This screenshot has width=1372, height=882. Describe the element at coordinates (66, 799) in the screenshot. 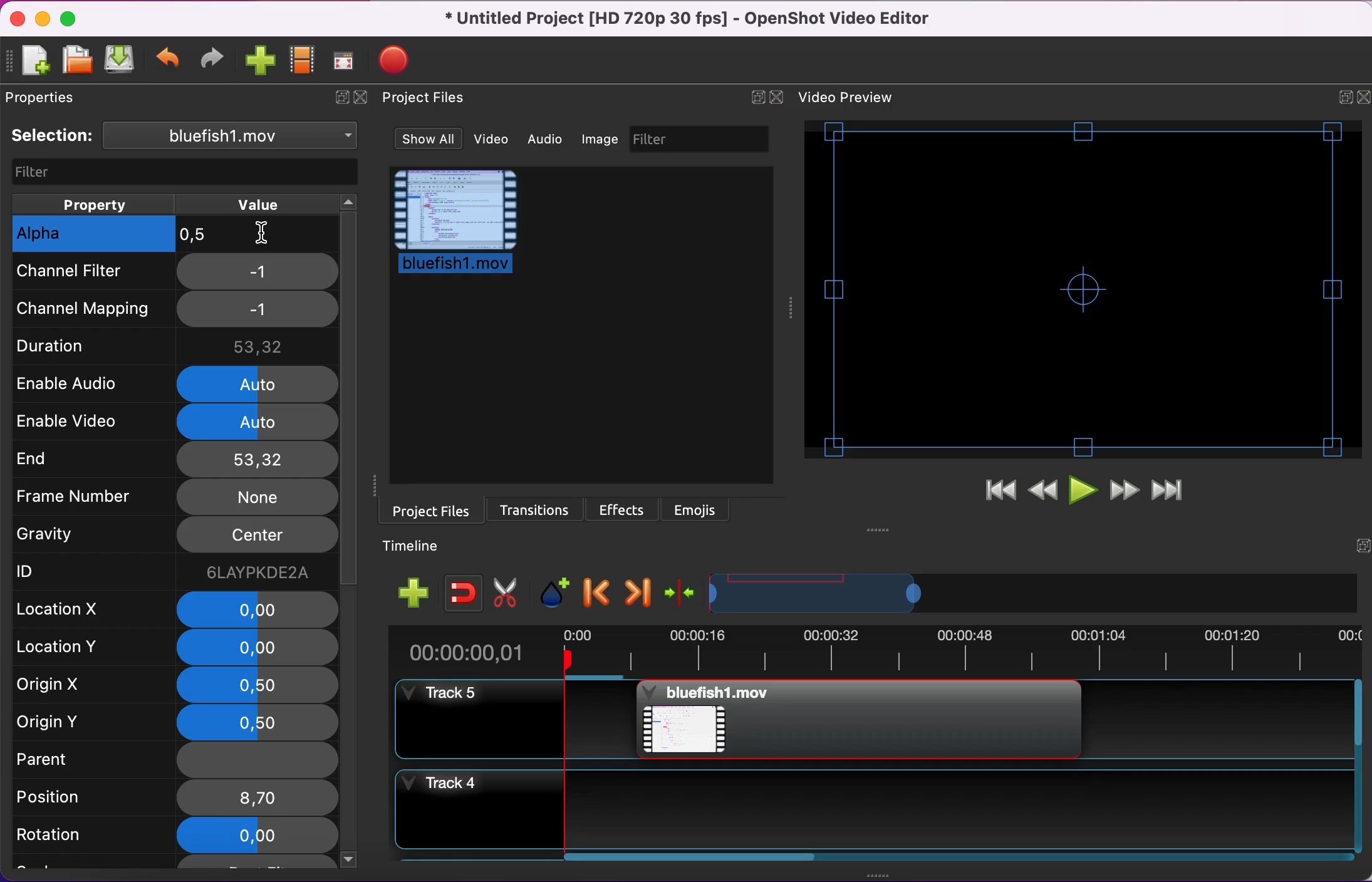

I see `position` at that location.